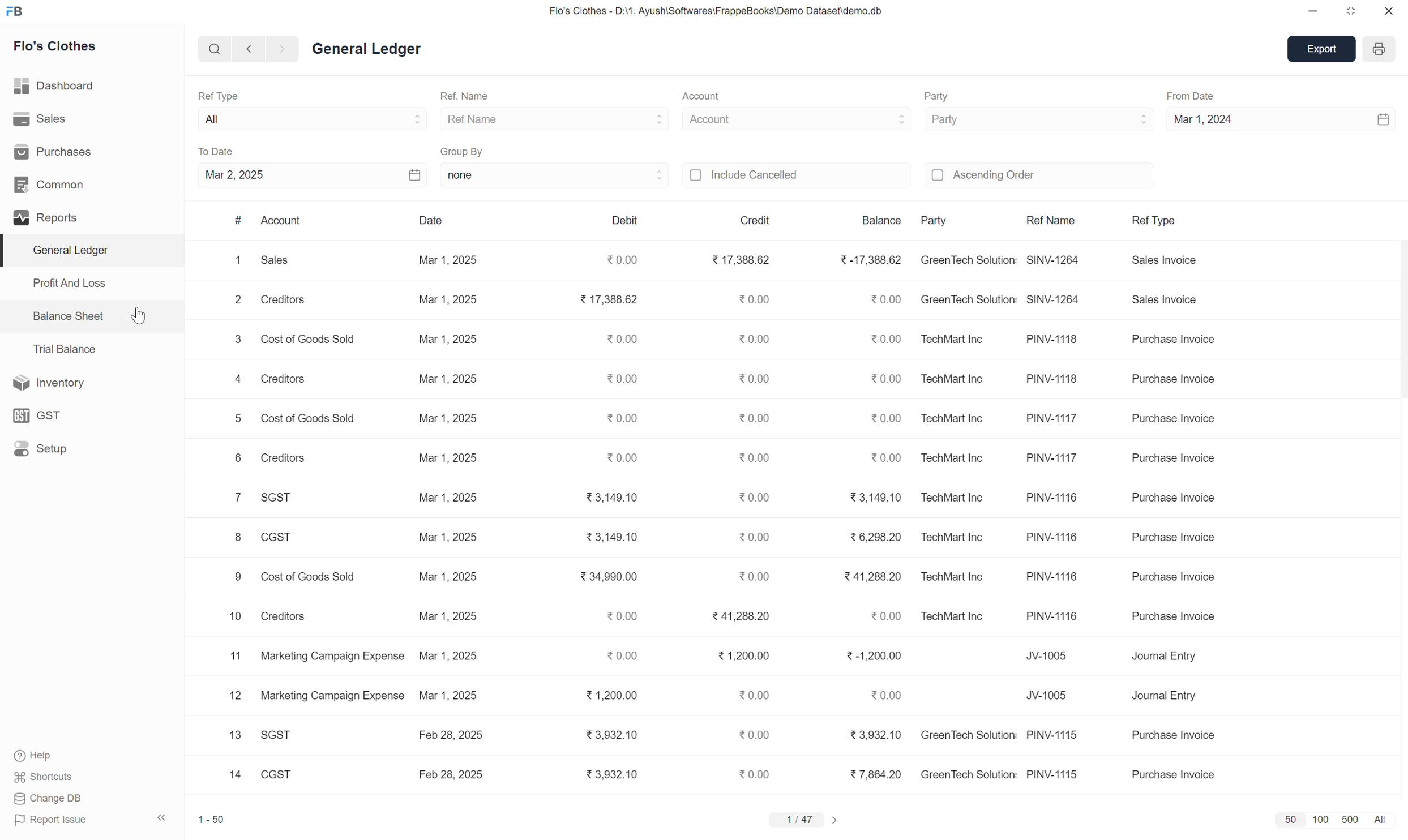  I want to click on Ref Type, so click(217, 95).